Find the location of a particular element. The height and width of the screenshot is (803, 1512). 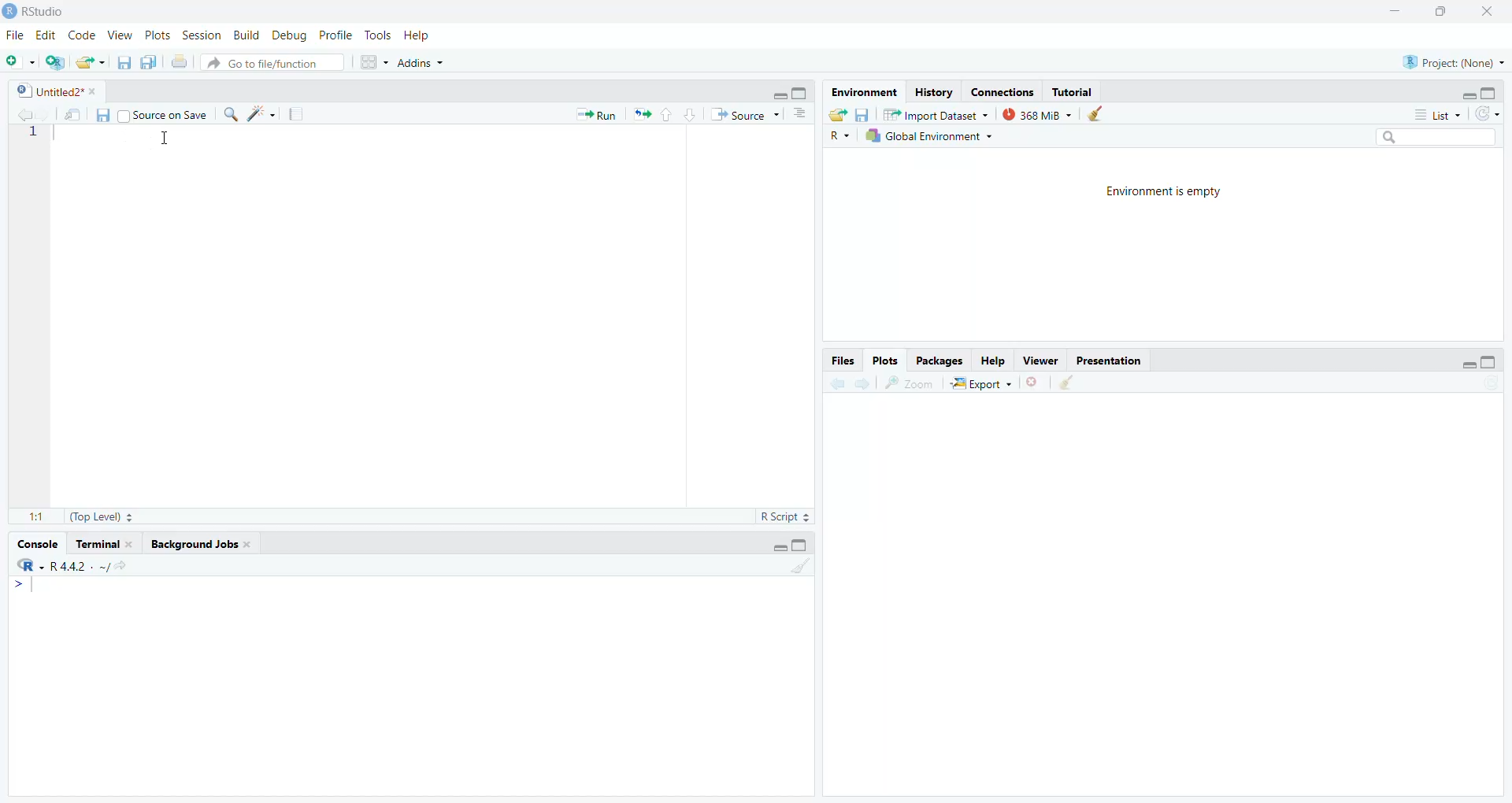

Tutorial is located at coordinates (1076, 92).